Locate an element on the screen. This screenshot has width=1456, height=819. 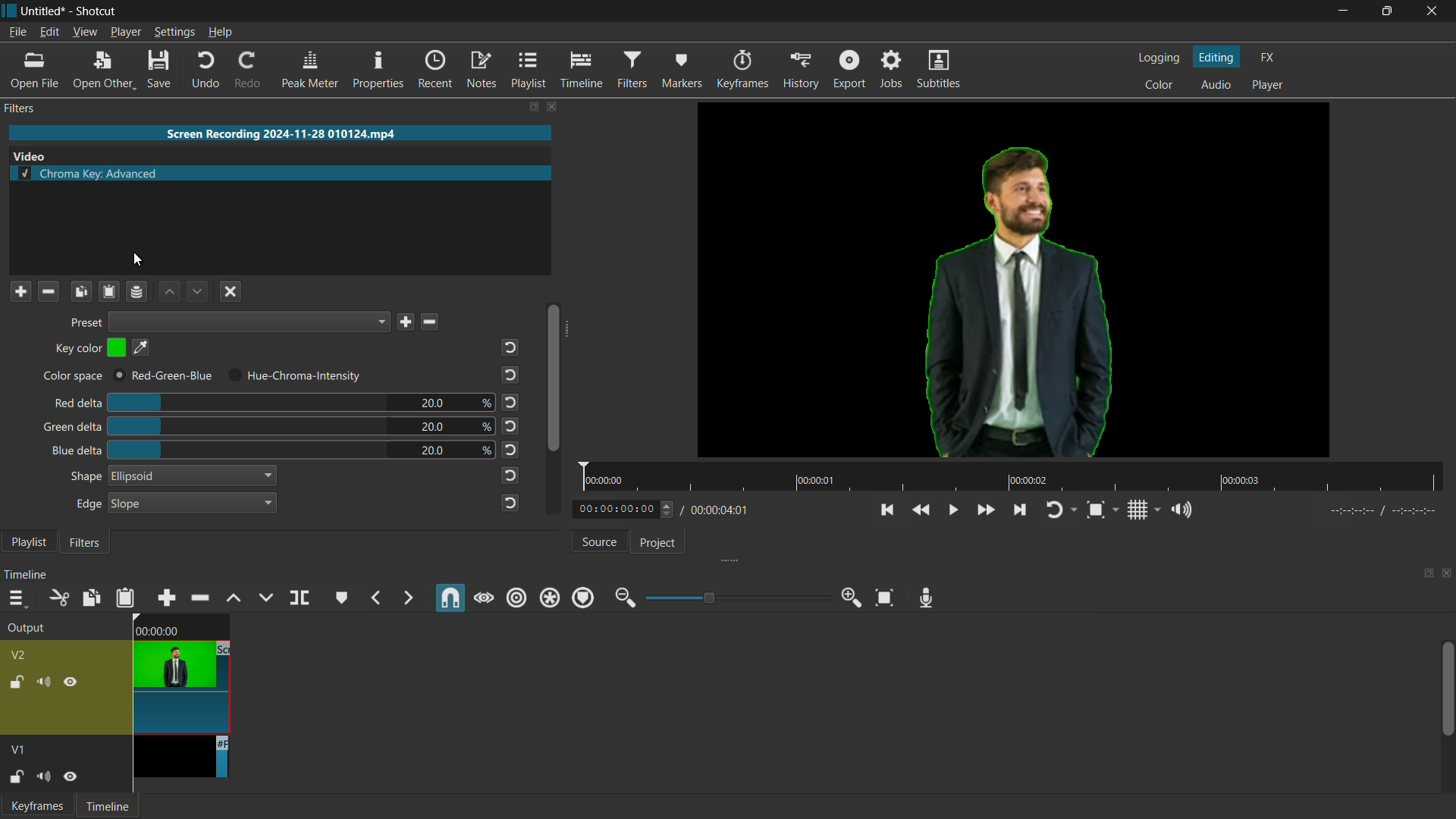
save is located at coordinates (158, 68).